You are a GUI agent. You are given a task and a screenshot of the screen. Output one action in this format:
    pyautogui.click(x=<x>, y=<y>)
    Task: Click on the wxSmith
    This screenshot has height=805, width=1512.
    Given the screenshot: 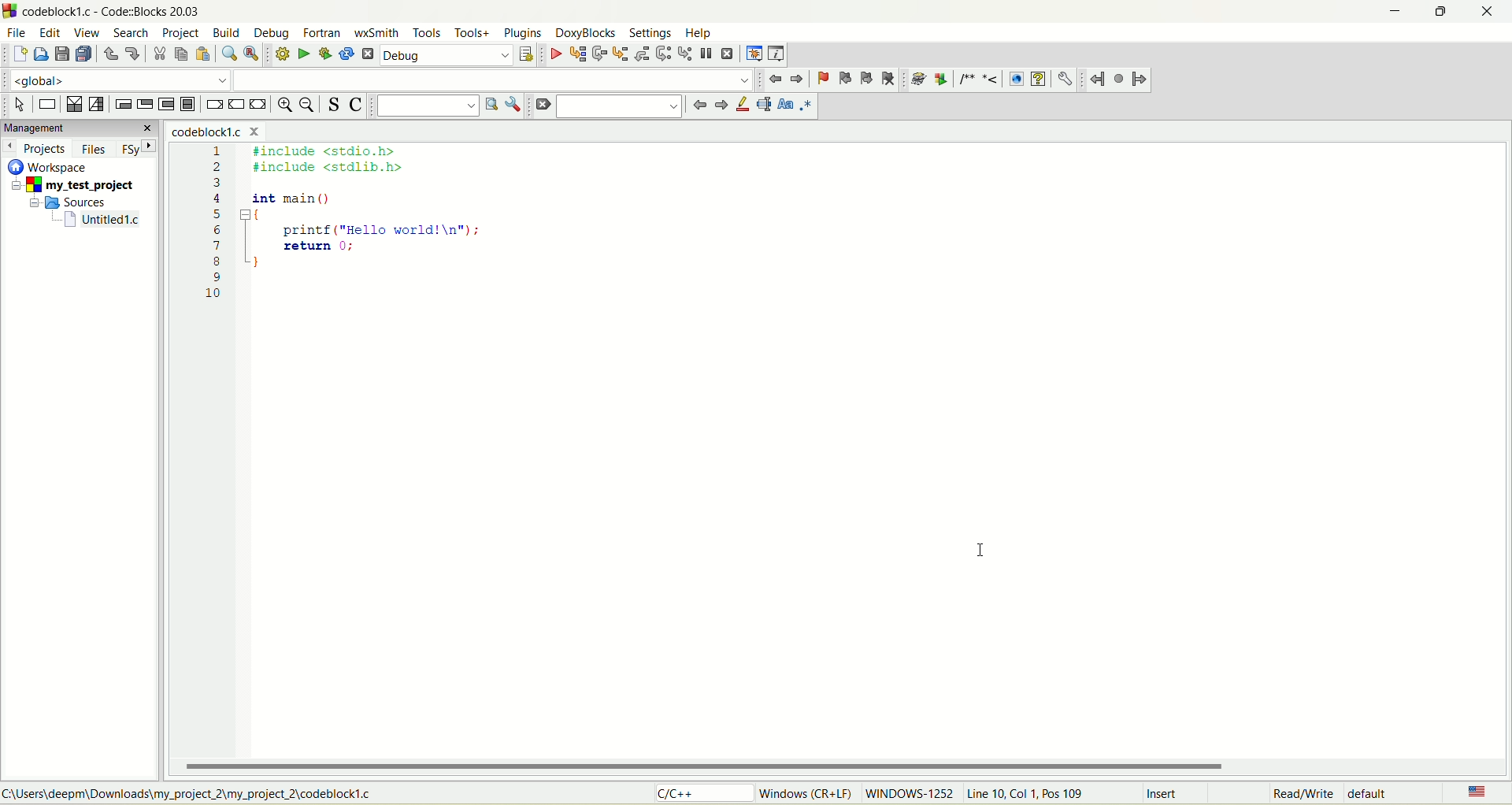 What is the action you would take?
    pyautogui.click(x=379, y=35)
    